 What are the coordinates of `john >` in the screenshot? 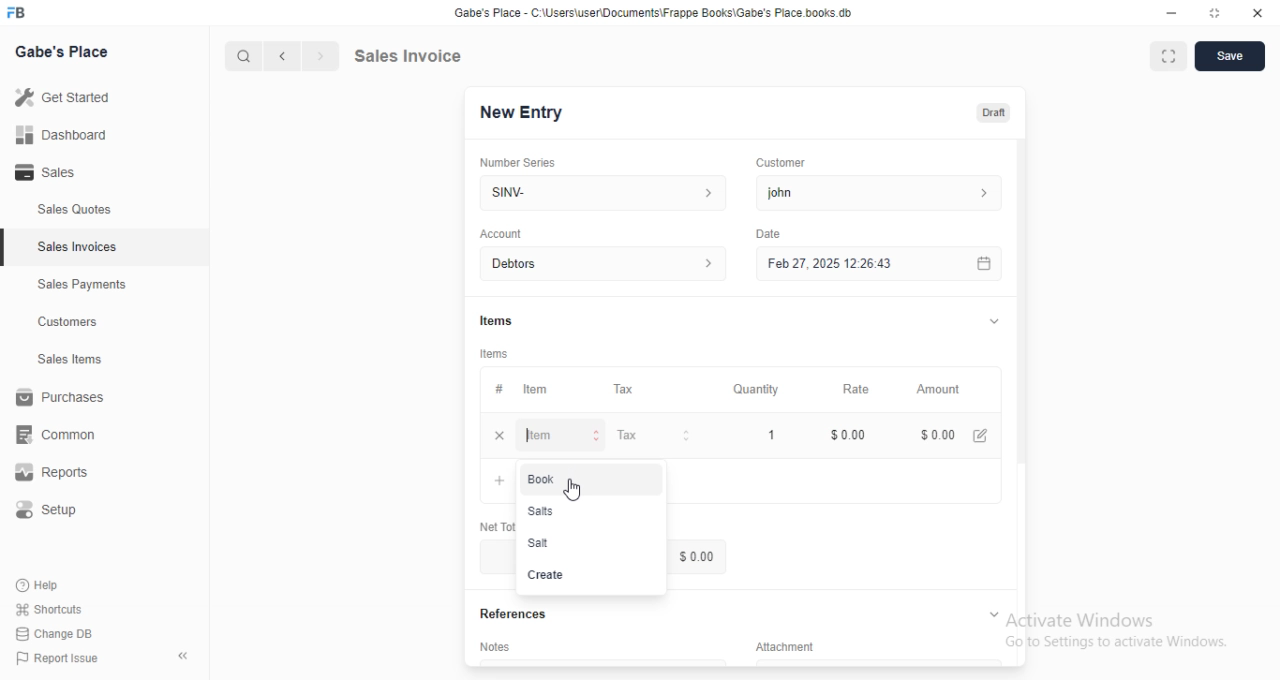 It's located at (885, 192).